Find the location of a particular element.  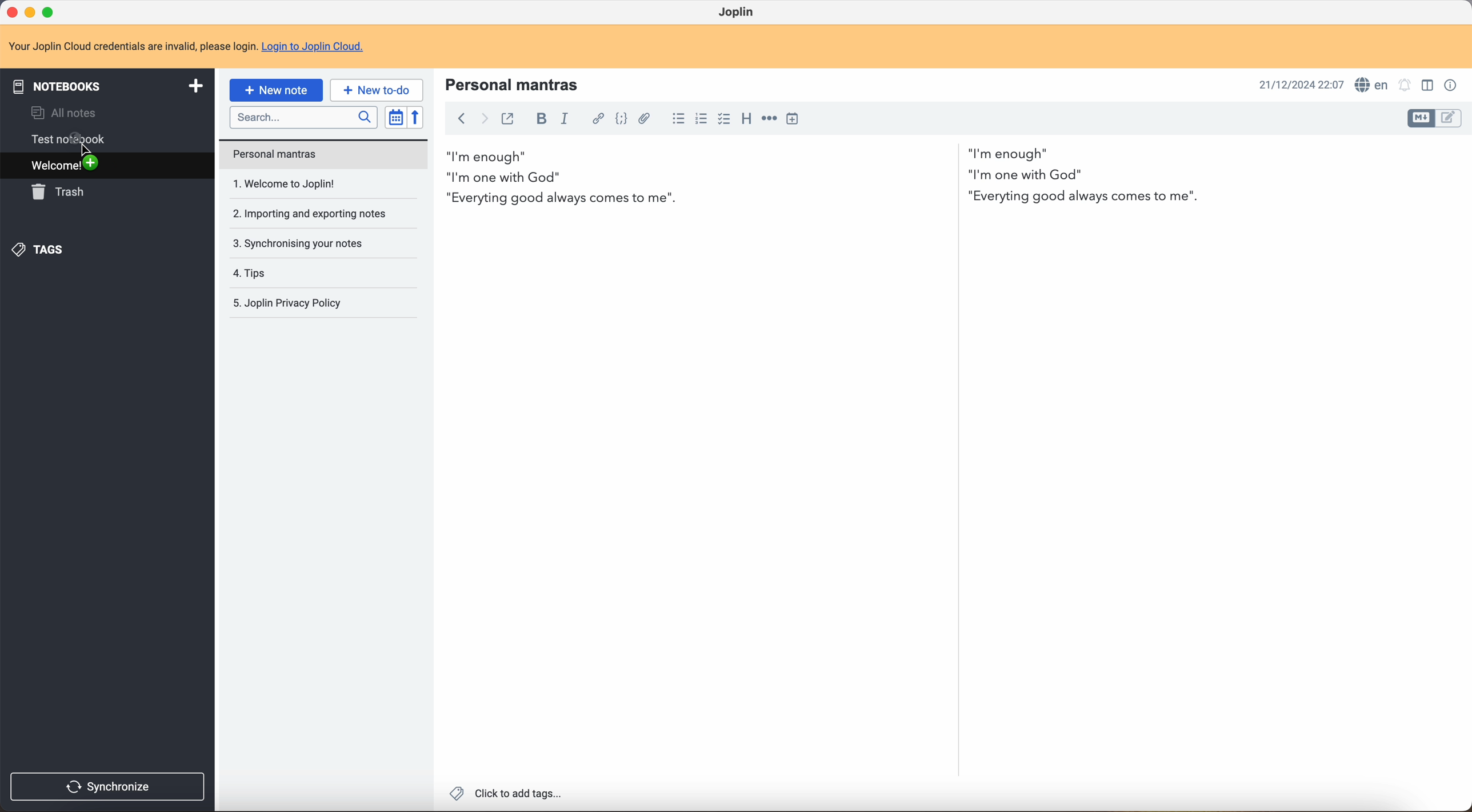

toggle editor layout is located at coordinates (1421, 119).